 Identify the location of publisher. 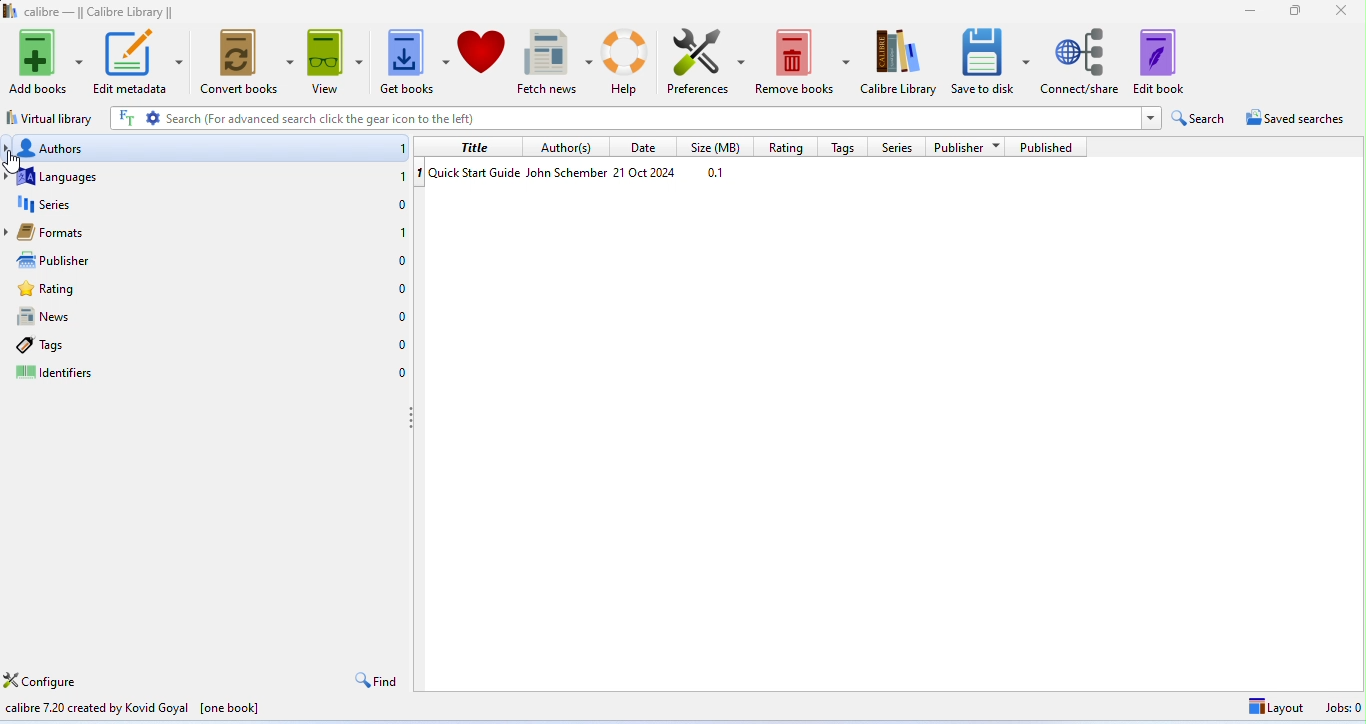
(968, 147).